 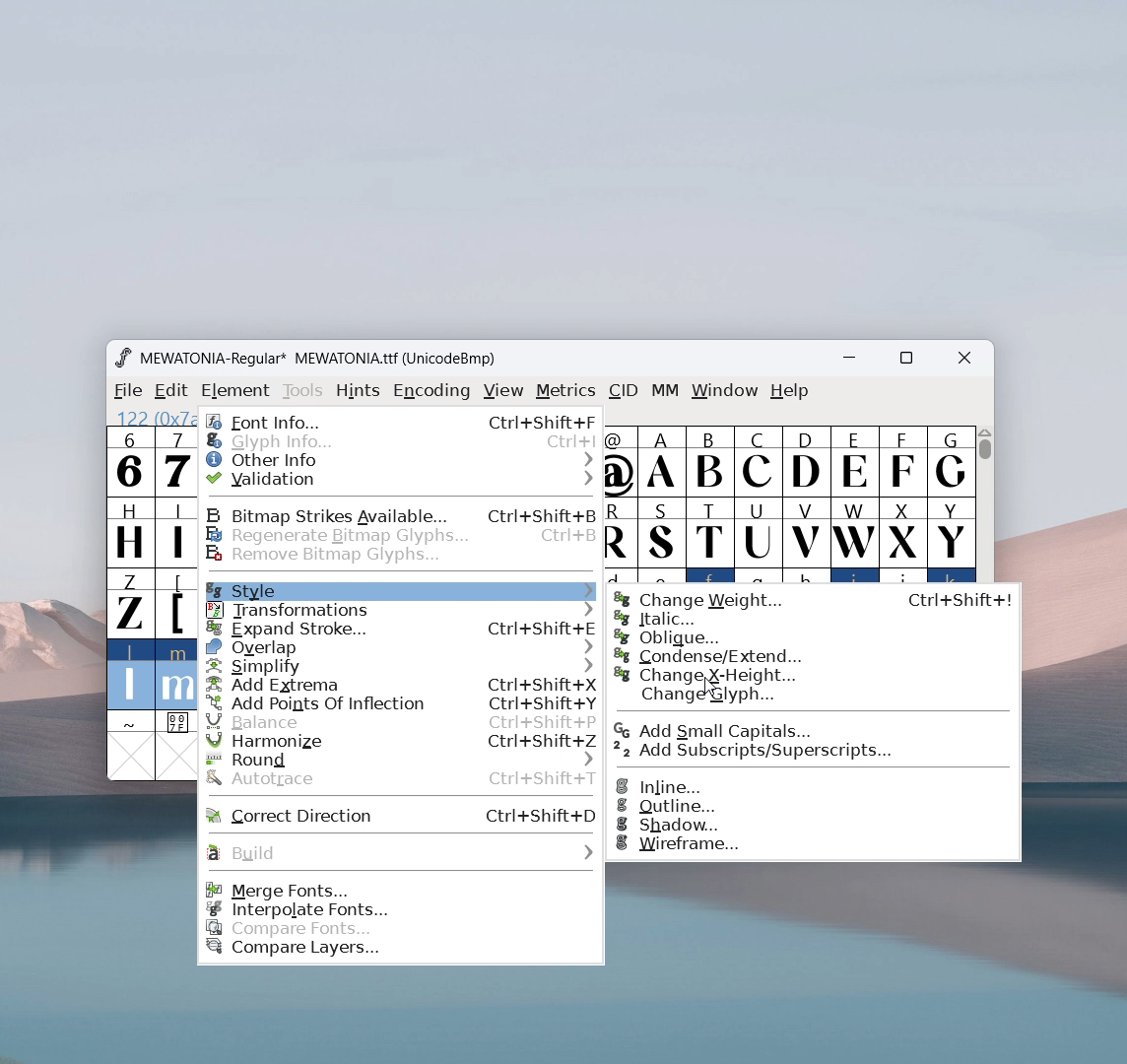 What do you see at coordinates (725, 391) in the screenshot?
I see `window` at bounding box center [725, 391].